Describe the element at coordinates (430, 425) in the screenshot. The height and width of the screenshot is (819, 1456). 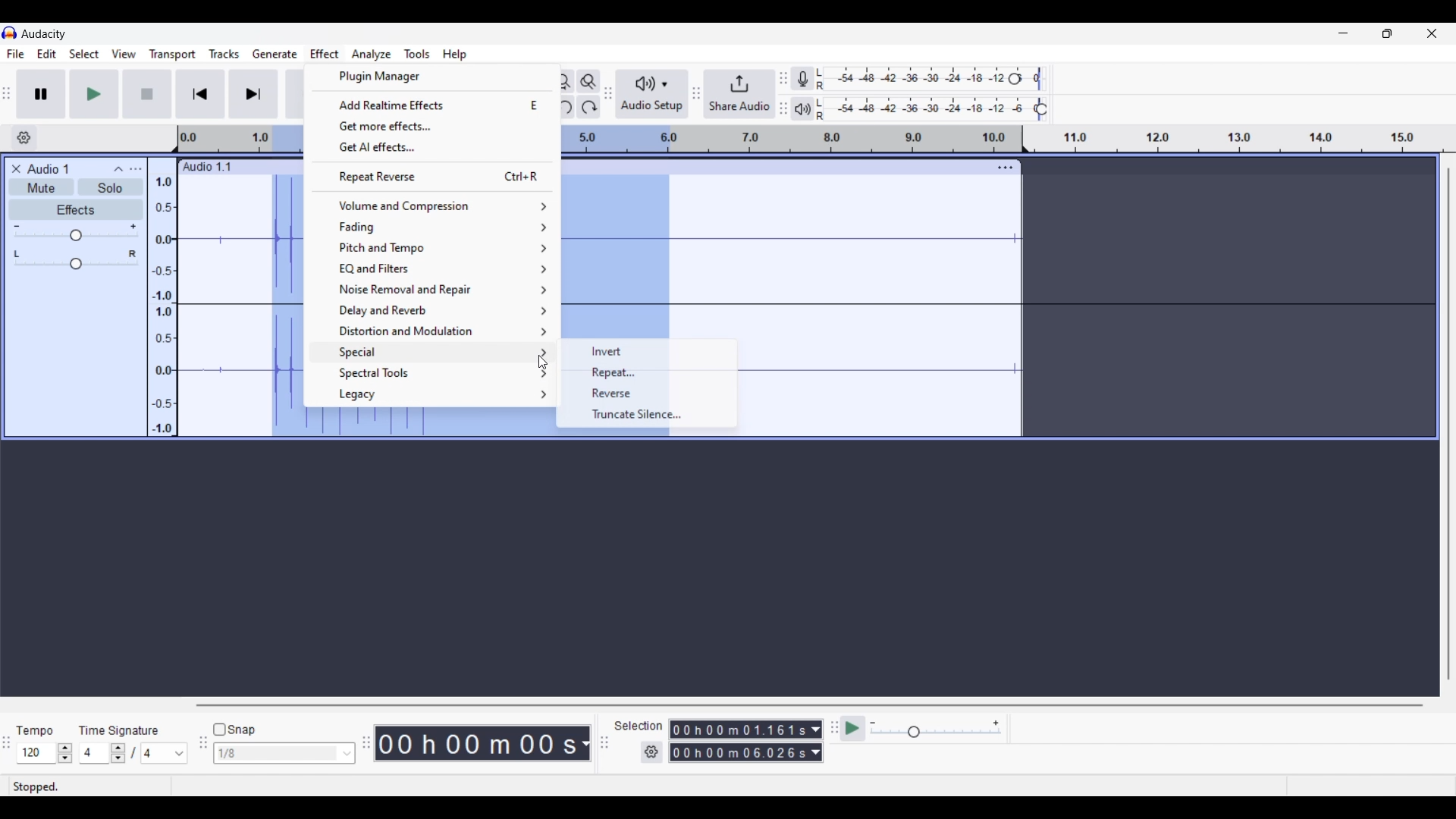
I see `Portion of recorded audio track selected` at that location.